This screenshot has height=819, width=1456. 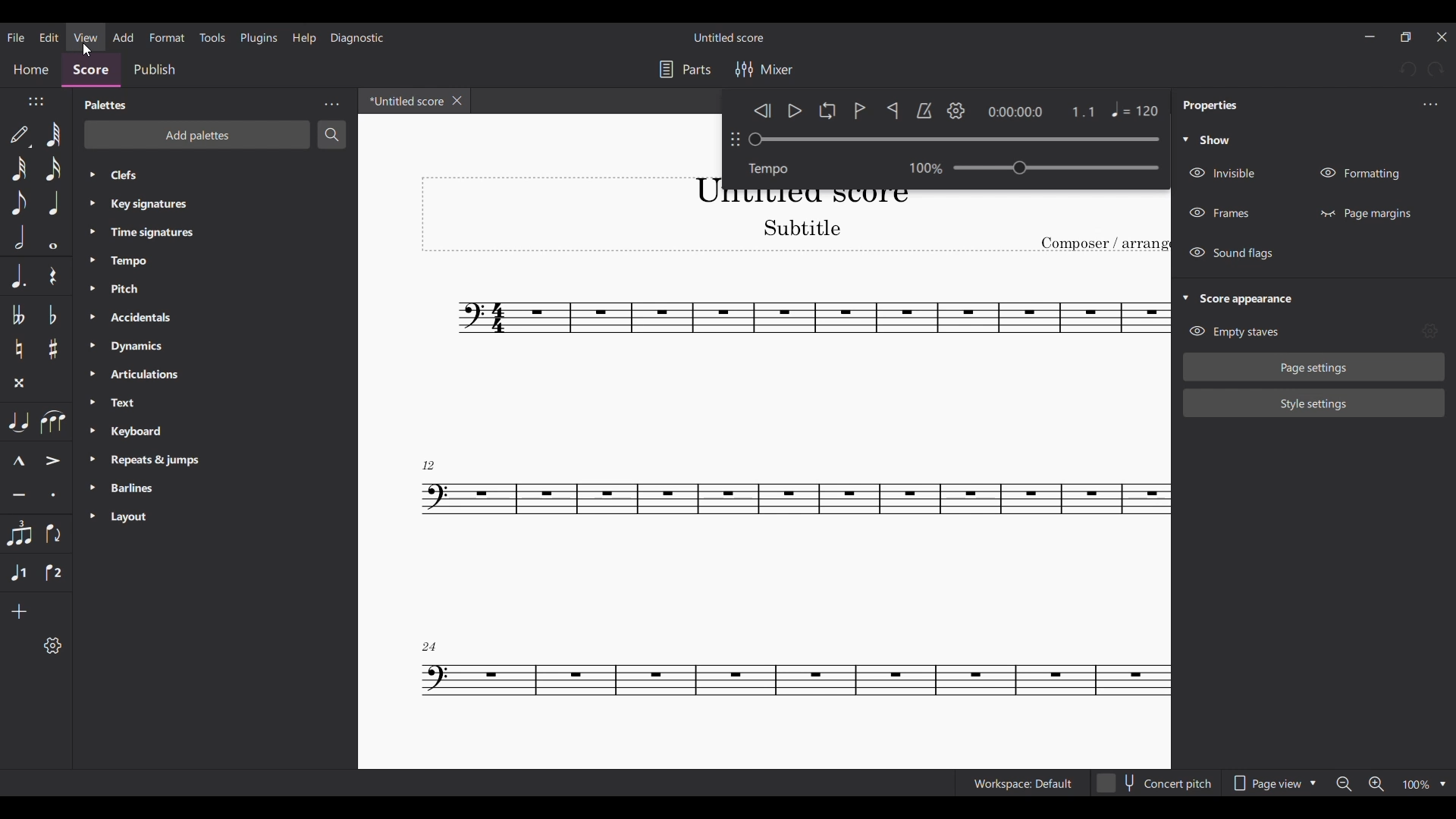 I want to click on Empty staves, so click(x=1234, y=331).